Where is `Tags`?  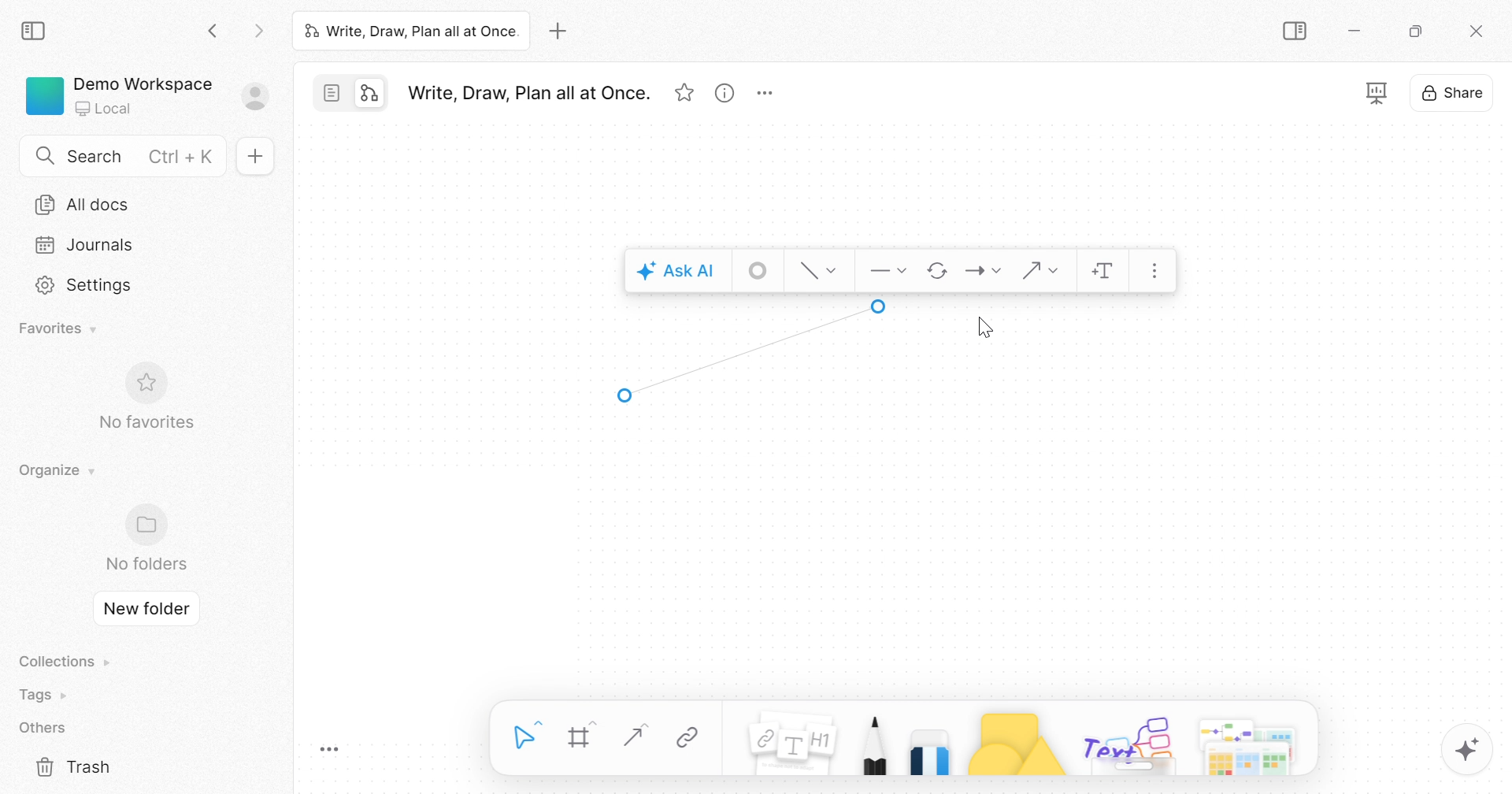
Tags is located at coordinates (46, 695).